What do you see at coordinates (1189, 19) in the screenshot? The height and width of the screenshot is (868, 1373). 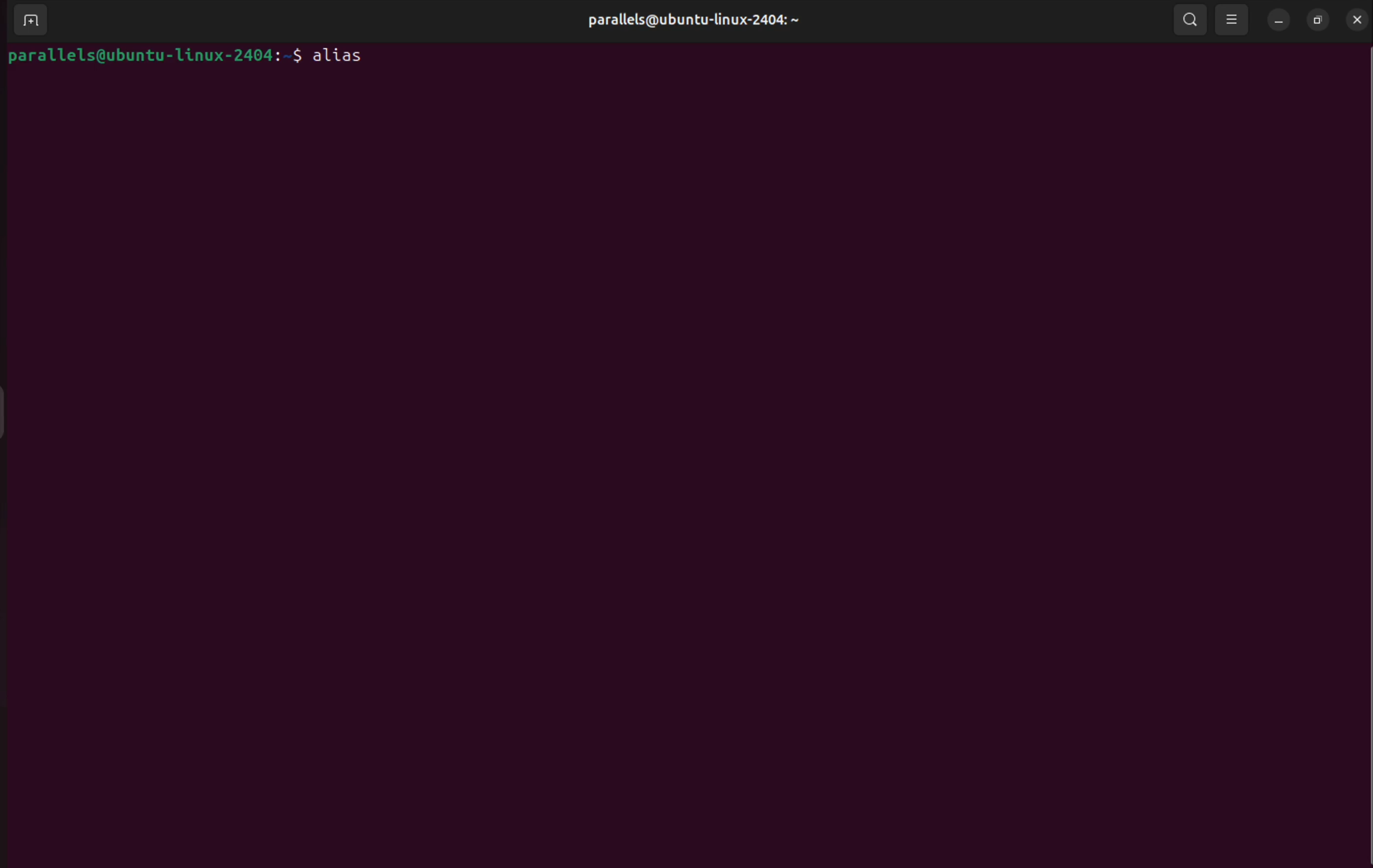 I see `search` at bounding box center [1189, 19].